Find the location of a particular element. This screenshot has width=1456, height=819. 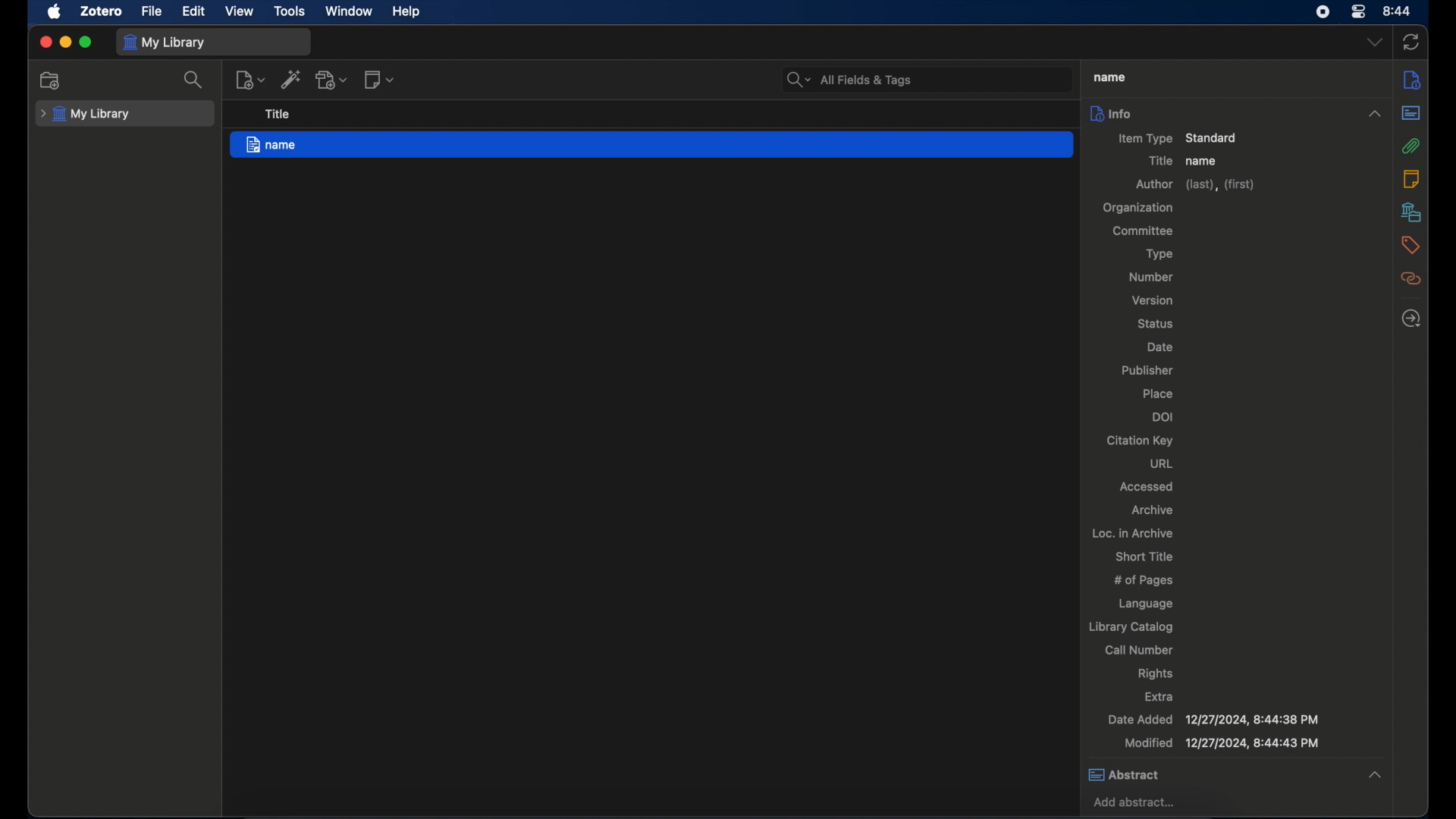

loc. in archive is located at coordinates (1134, 532).